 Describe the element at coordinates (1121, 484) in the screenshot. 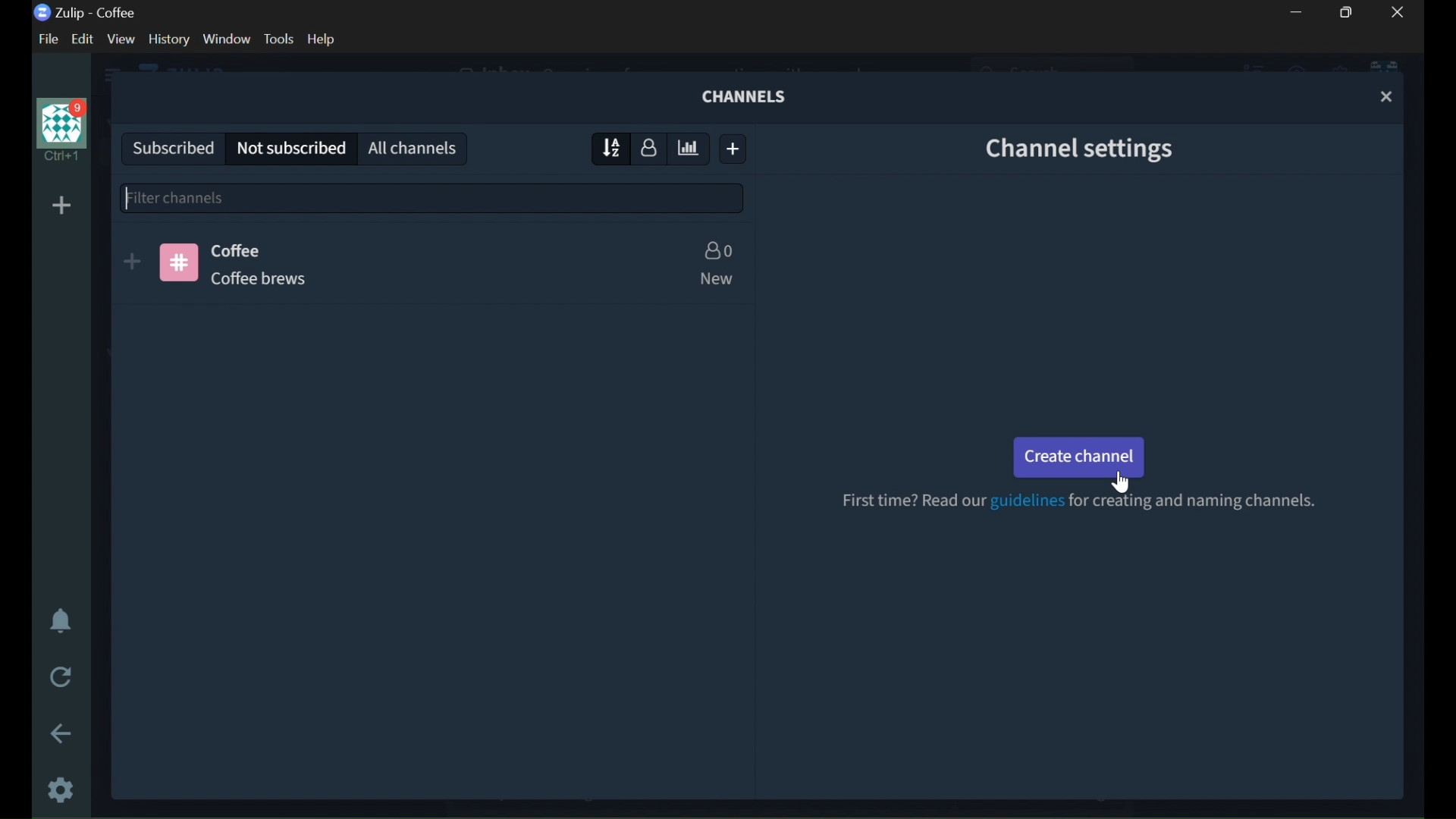

I see `cursor` at that location.